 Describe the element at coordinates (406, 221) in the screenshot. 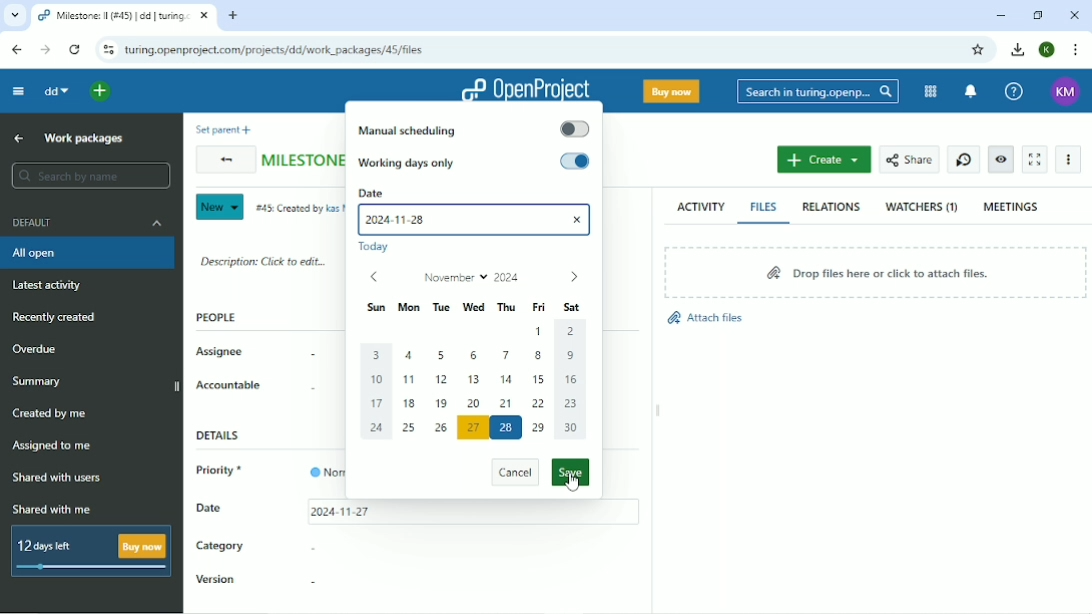

I see `2024-11-28` at that location.